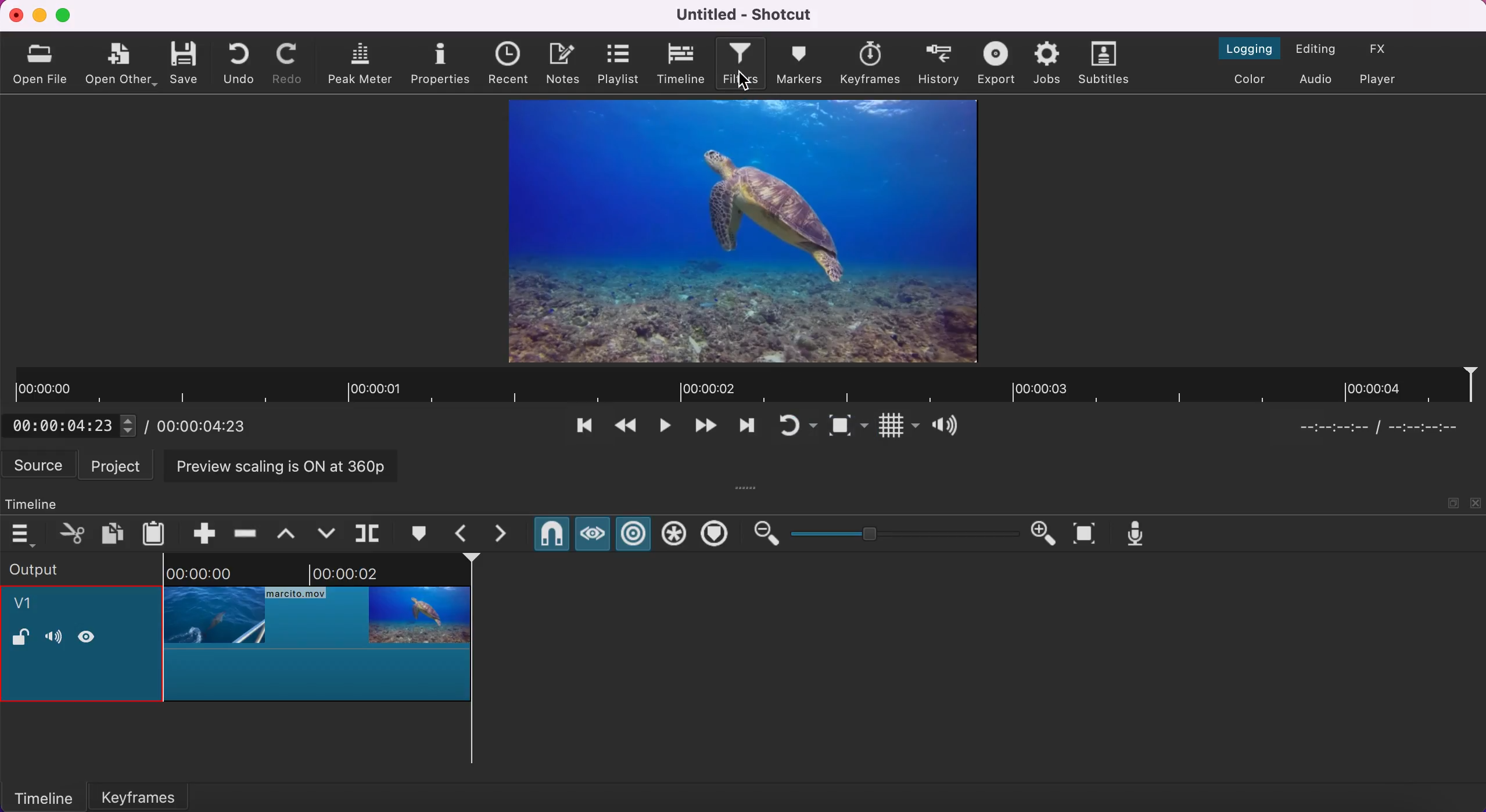 This screenshot has height=812, width=1486. Describe the element at coordinates (39, 15) in the screenshot. I see `minimize` at that location.